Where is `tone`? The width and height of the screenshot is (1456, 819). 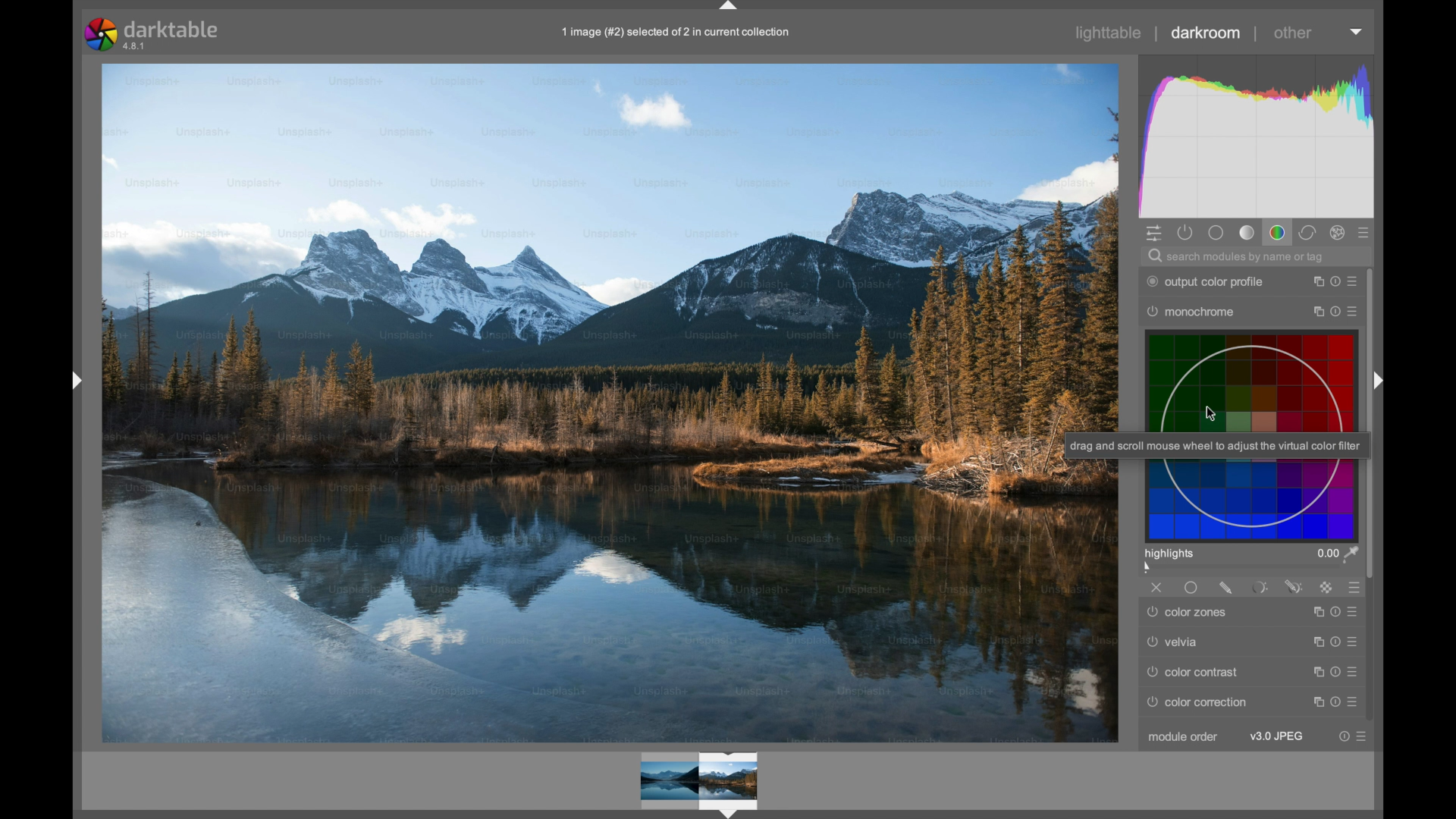 tone is located at coordinates (1247, 232).